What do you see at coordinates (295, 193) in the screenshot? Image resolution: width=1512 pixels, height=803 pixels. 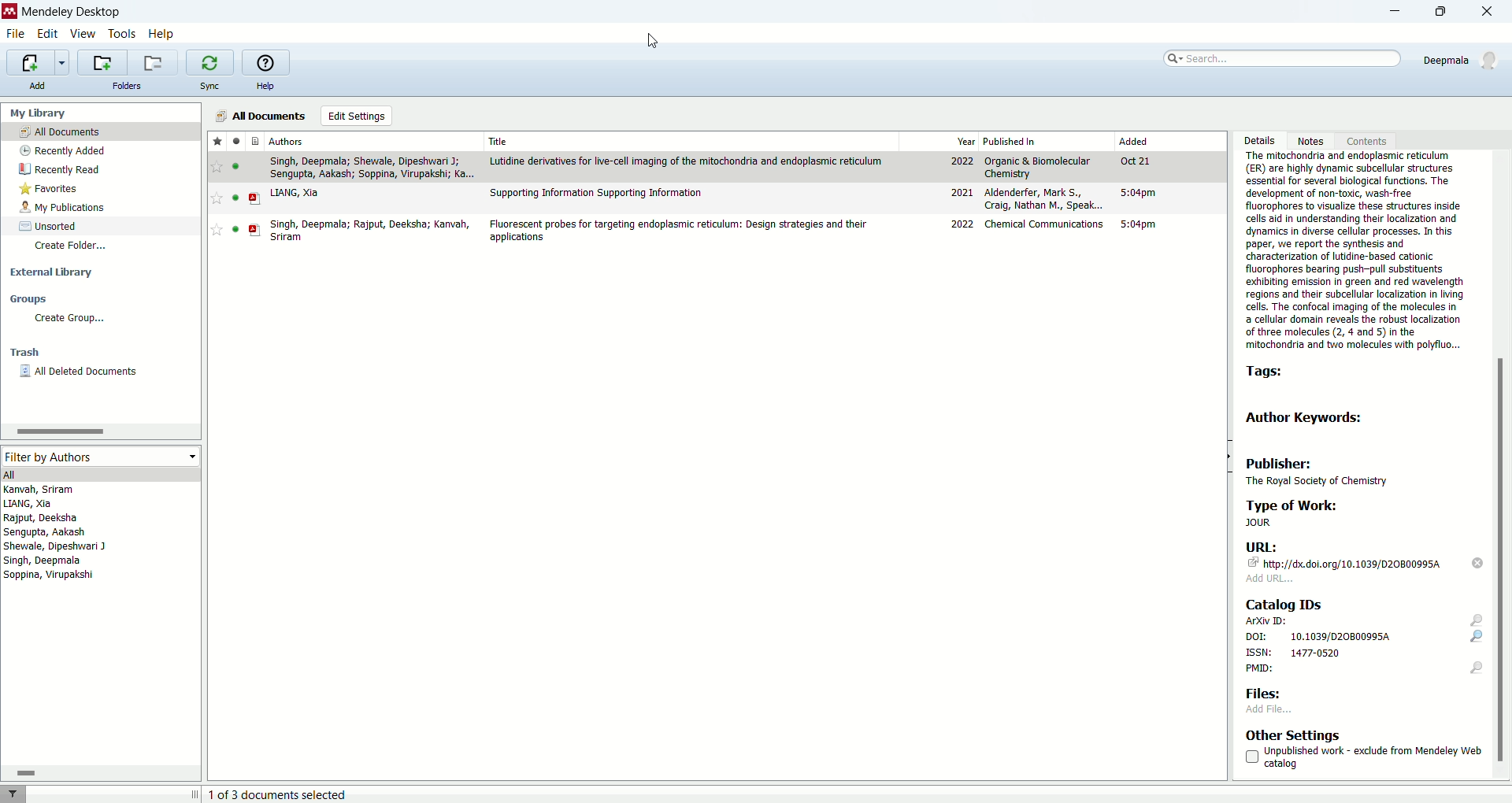 I see `LIANG, Xia` at bounding box center [295, 193].